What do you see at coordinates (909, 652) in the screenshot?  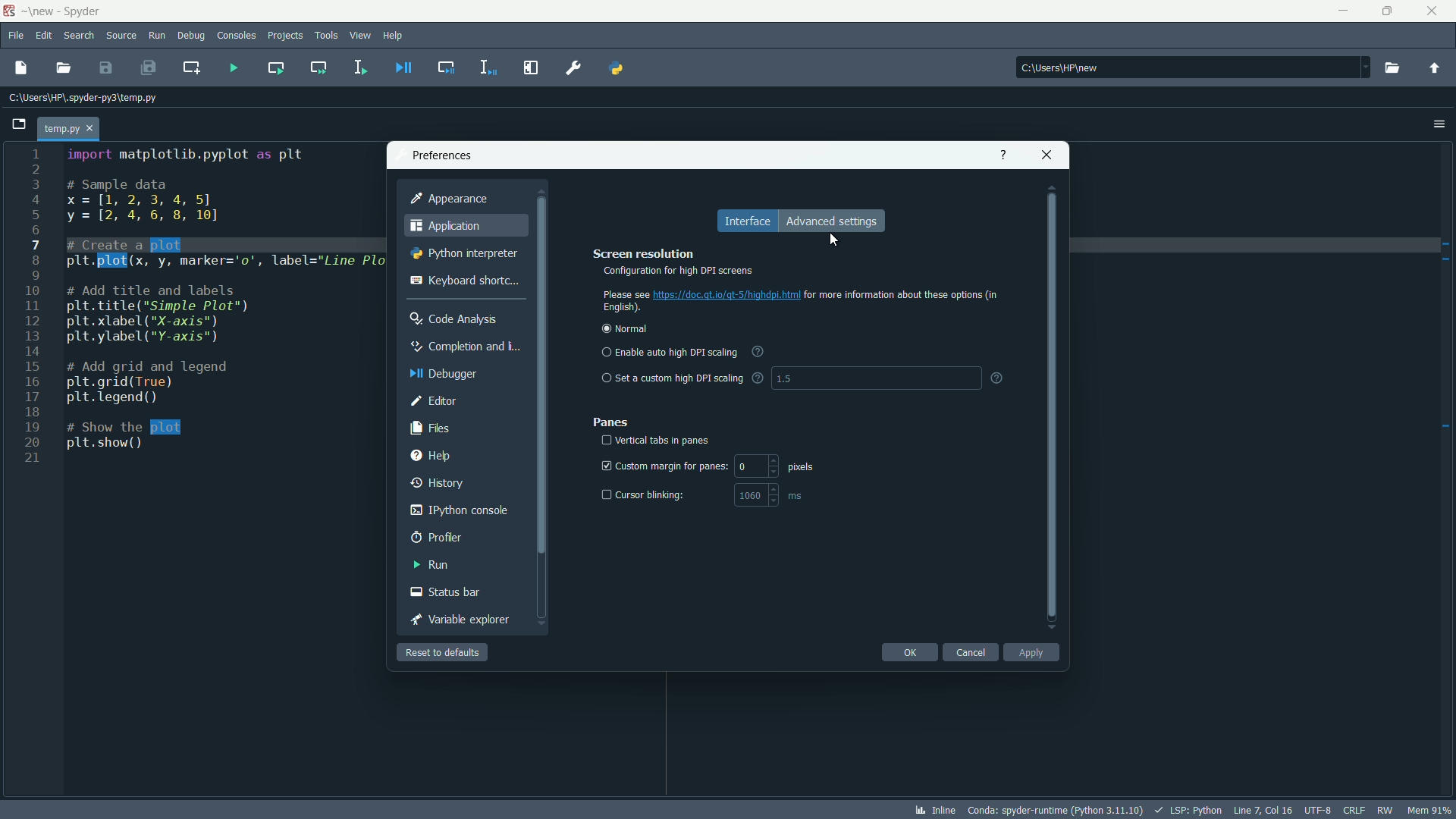 I see `ok` at bounding box center [909, 652].